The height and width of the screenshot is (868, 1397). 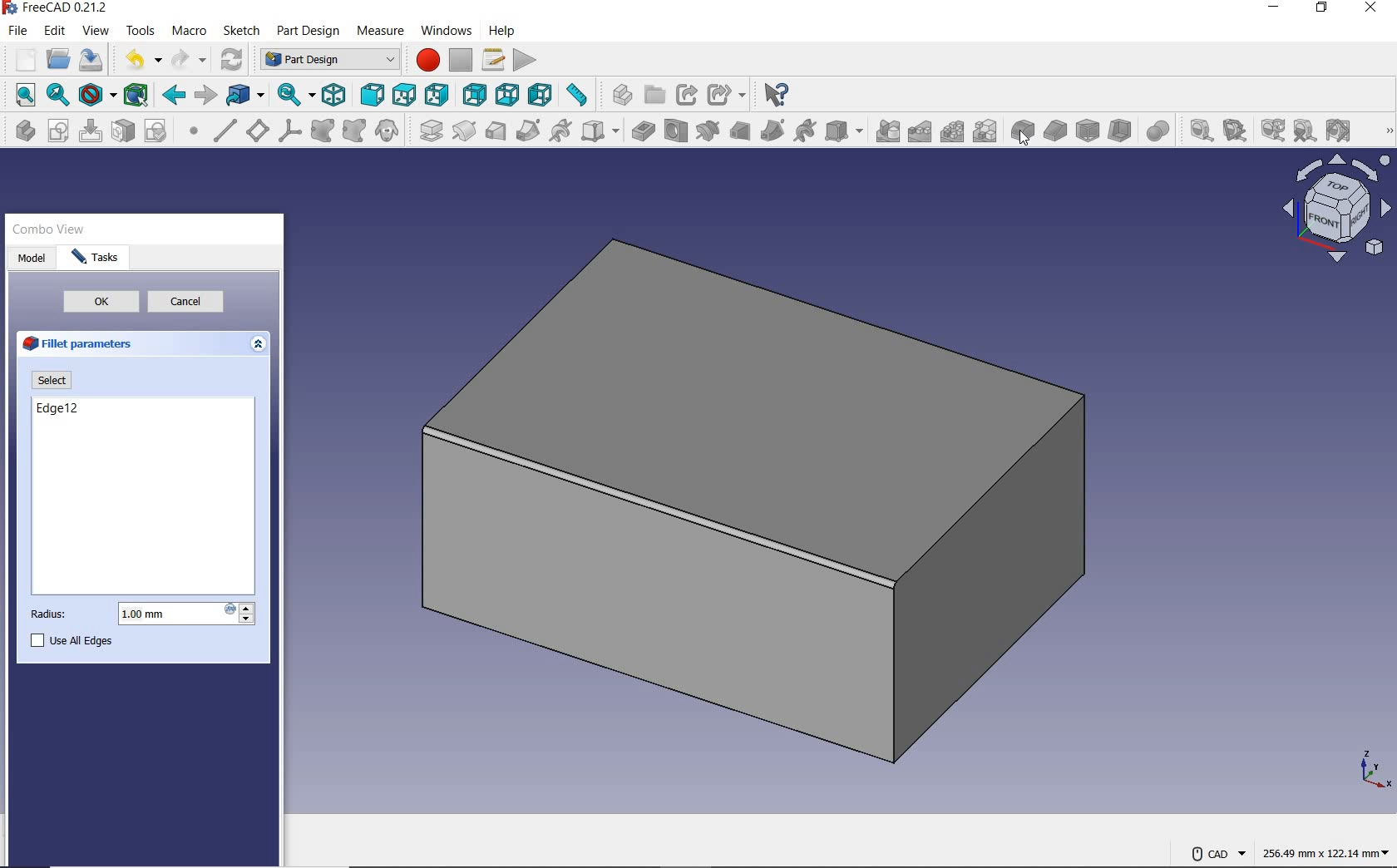 What do you see at coordinates (1340, 131) in the screenshot?
I see `toggle all` at bounding box center [1340, 131].